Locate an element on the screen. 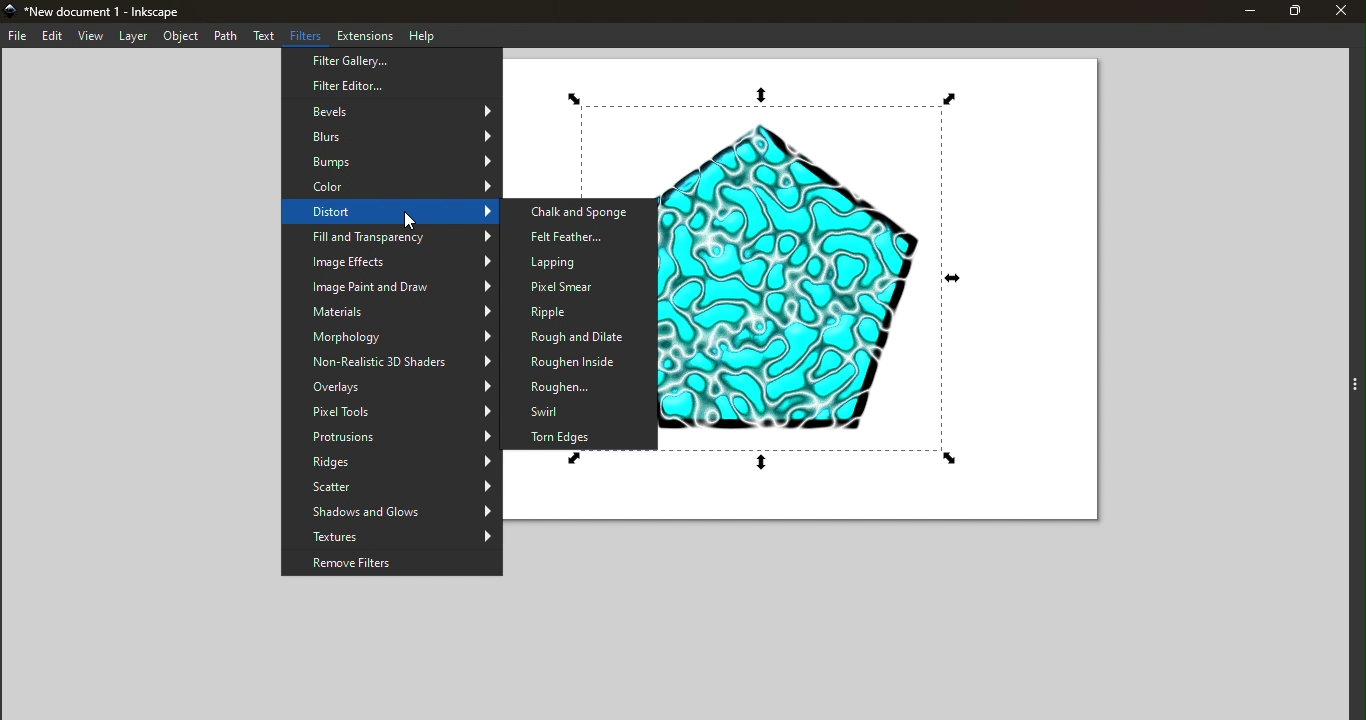 This screenshot has width=1366, height=720. File is located at coordinates (17, 35).